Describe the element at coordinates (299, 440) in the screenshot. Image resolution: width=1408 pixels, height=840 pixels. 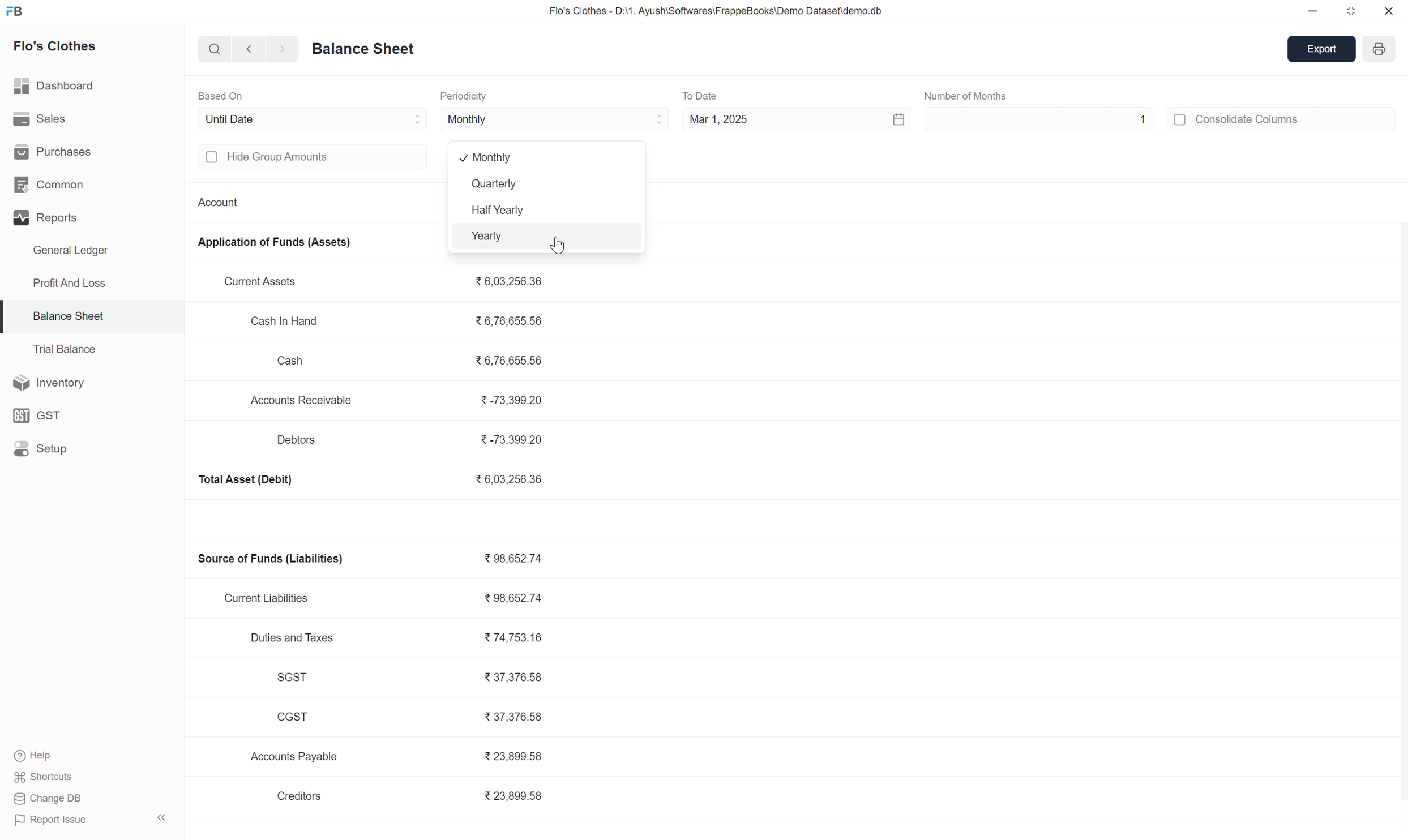
I see `Debtors` at that location.